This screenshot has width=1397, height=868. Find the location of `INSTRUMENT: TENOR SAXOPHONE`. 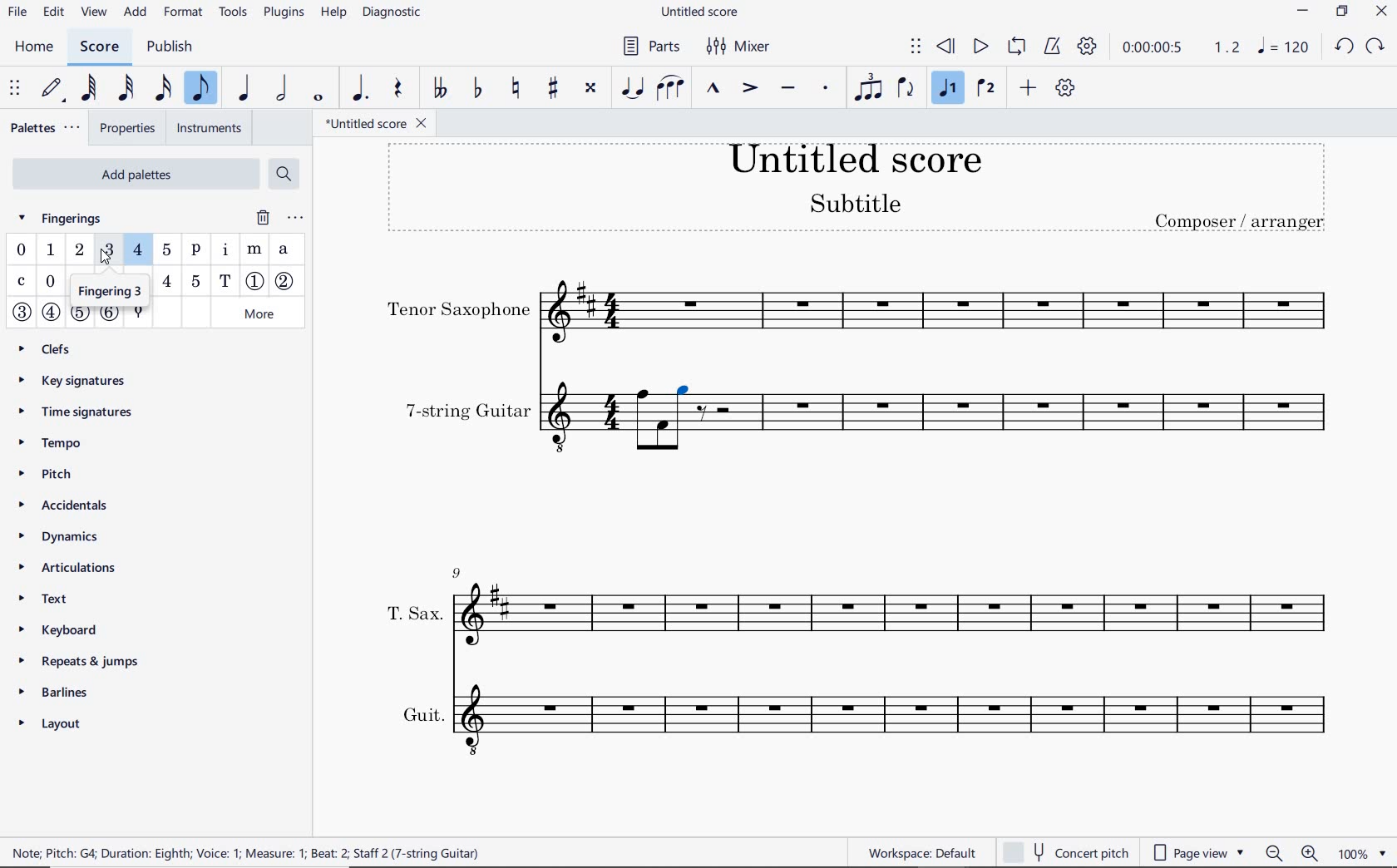

INSTRUMENT: TENOR SAXOPHONE is located at coordinates (860, 311).